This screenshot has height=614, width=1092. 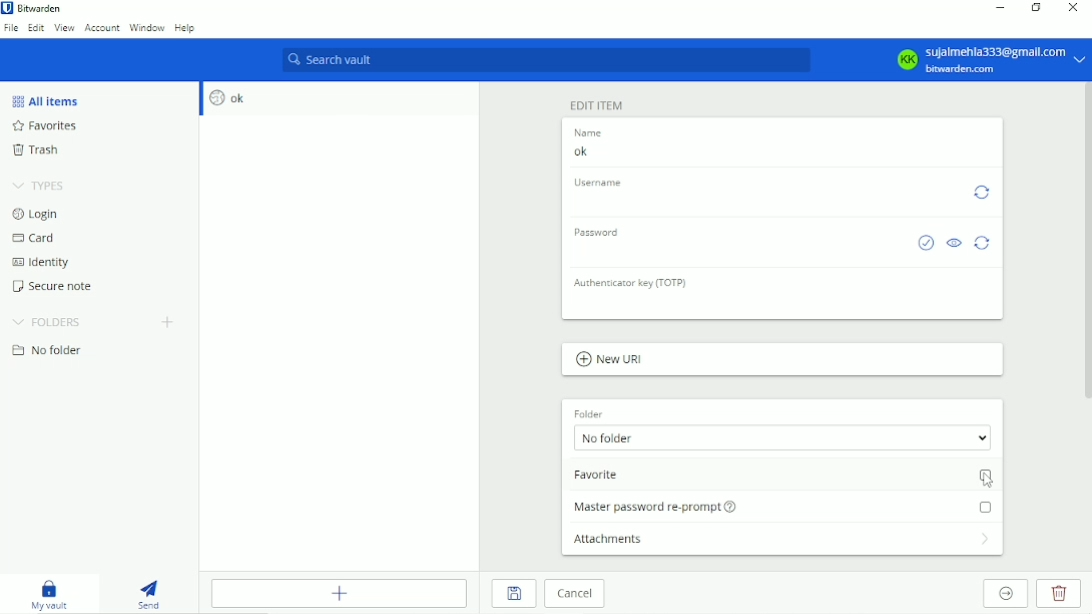 What do you see at coordinates (229, 99) in the screenshot?
I see `ok` at bounding box center [229, 99].